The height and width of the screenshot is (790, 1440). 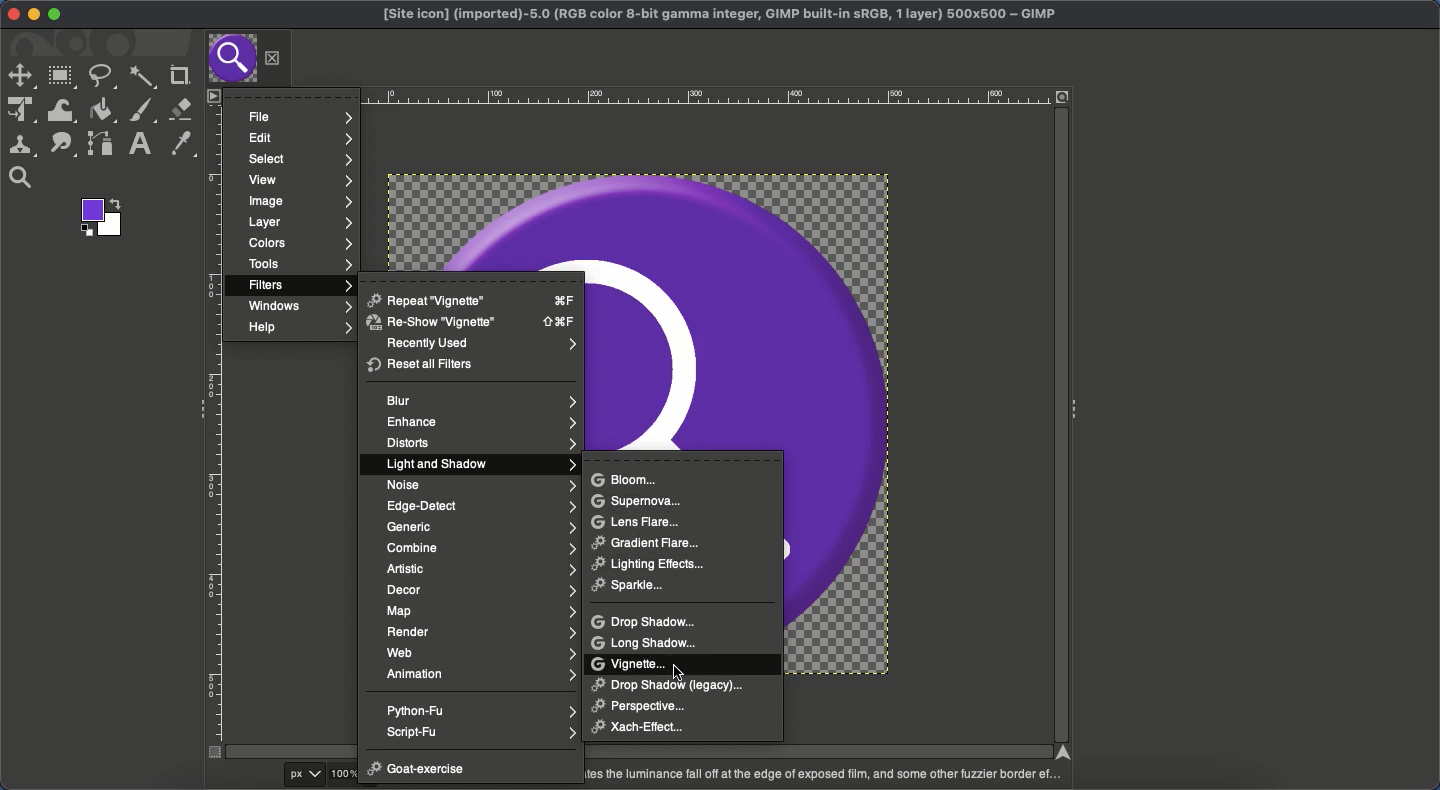 I want to click on px, so click(x=308, y=775).